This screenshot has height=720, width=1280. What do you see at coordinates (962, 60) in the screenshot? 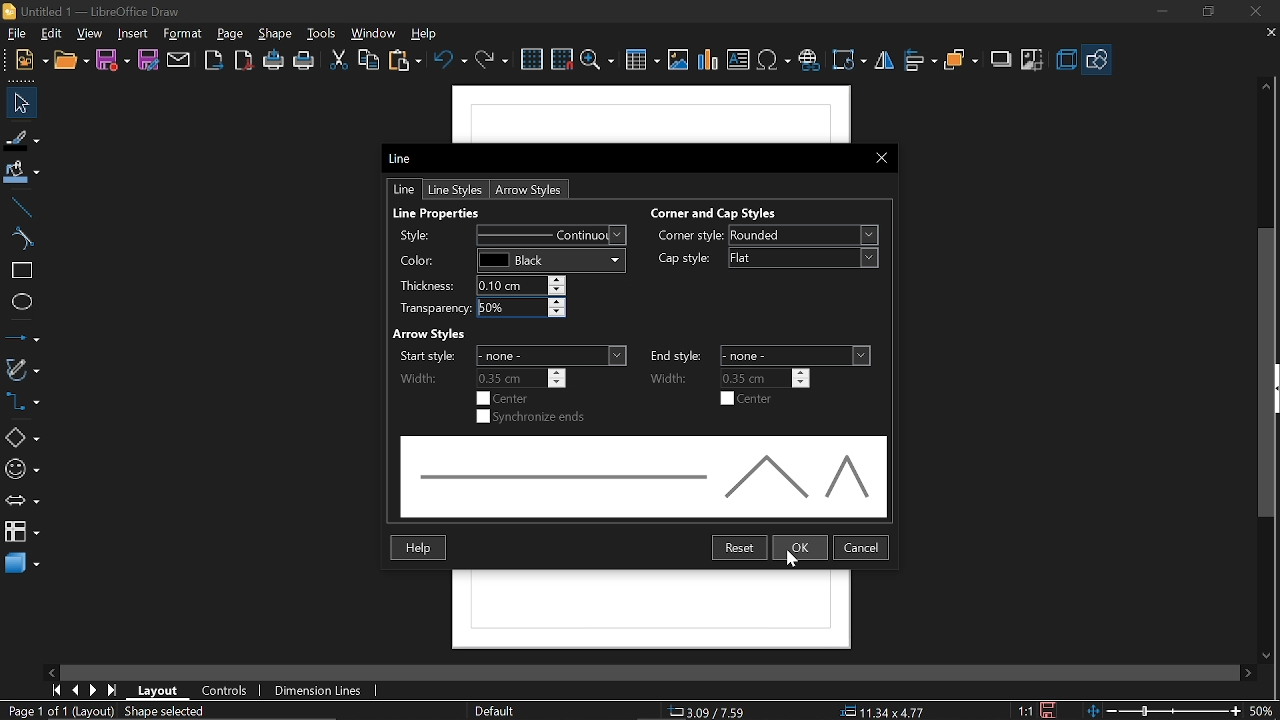
I see `arrange` at bounding box center [962, 60].